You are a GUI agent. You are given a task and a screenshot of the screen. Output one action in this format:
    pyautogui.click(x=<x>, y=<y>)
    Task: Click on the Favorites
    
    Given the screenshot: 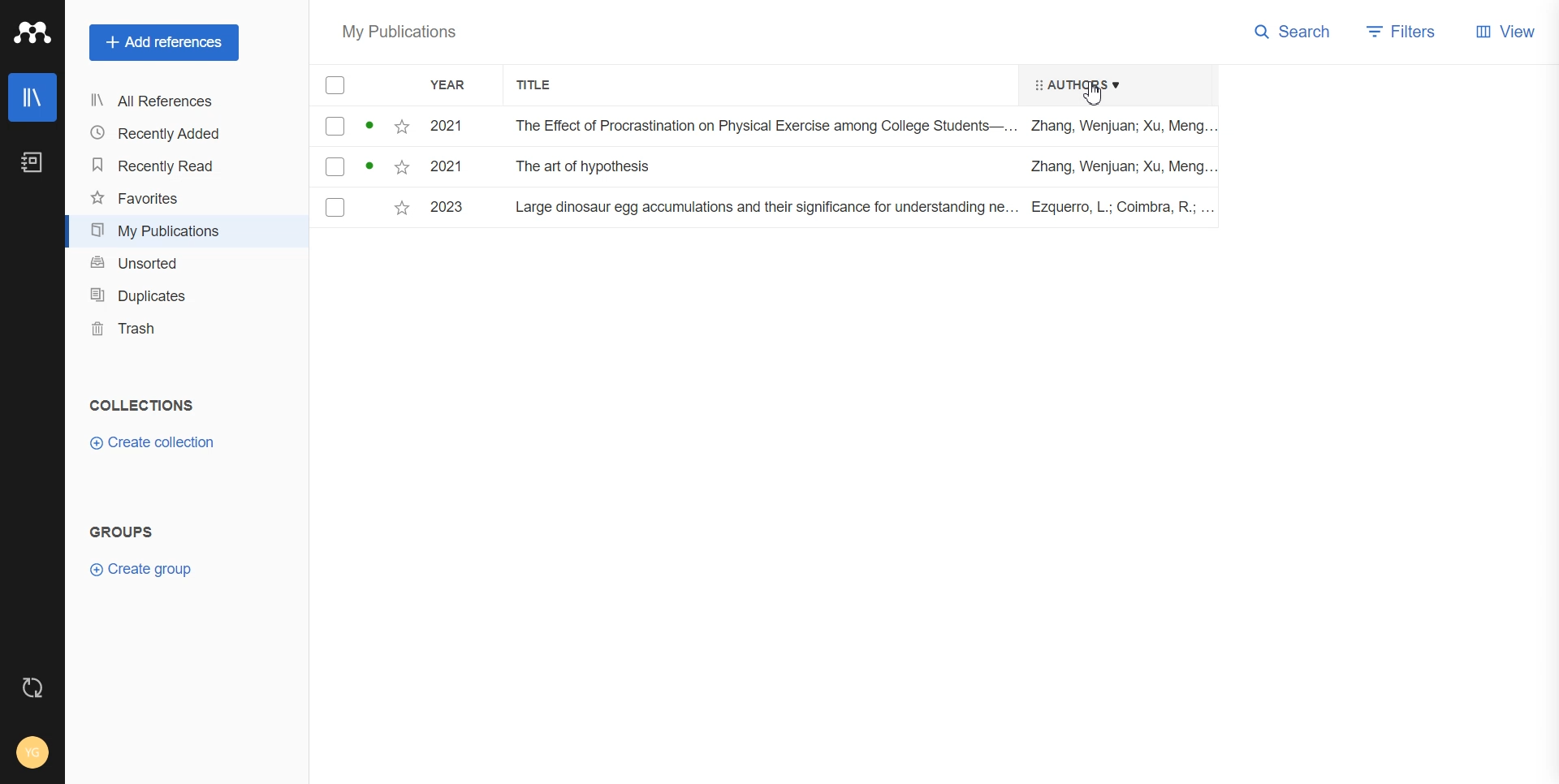 What is the action you would take?
    pyautogui.click(x=404, y=125)
    